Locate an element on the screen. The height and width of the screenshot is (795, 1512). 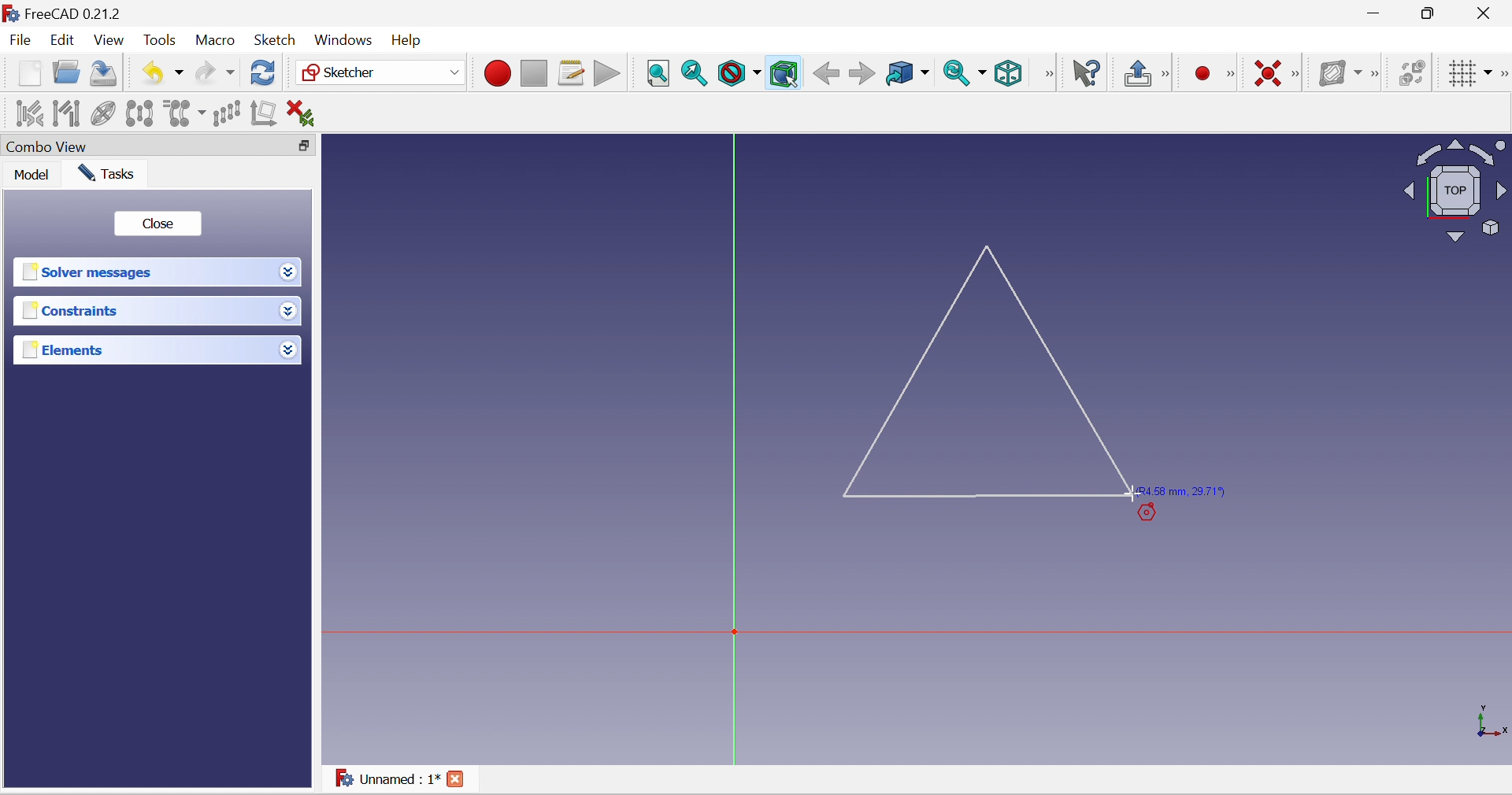
Remove axes alignment is located at coordinates (264, 112).